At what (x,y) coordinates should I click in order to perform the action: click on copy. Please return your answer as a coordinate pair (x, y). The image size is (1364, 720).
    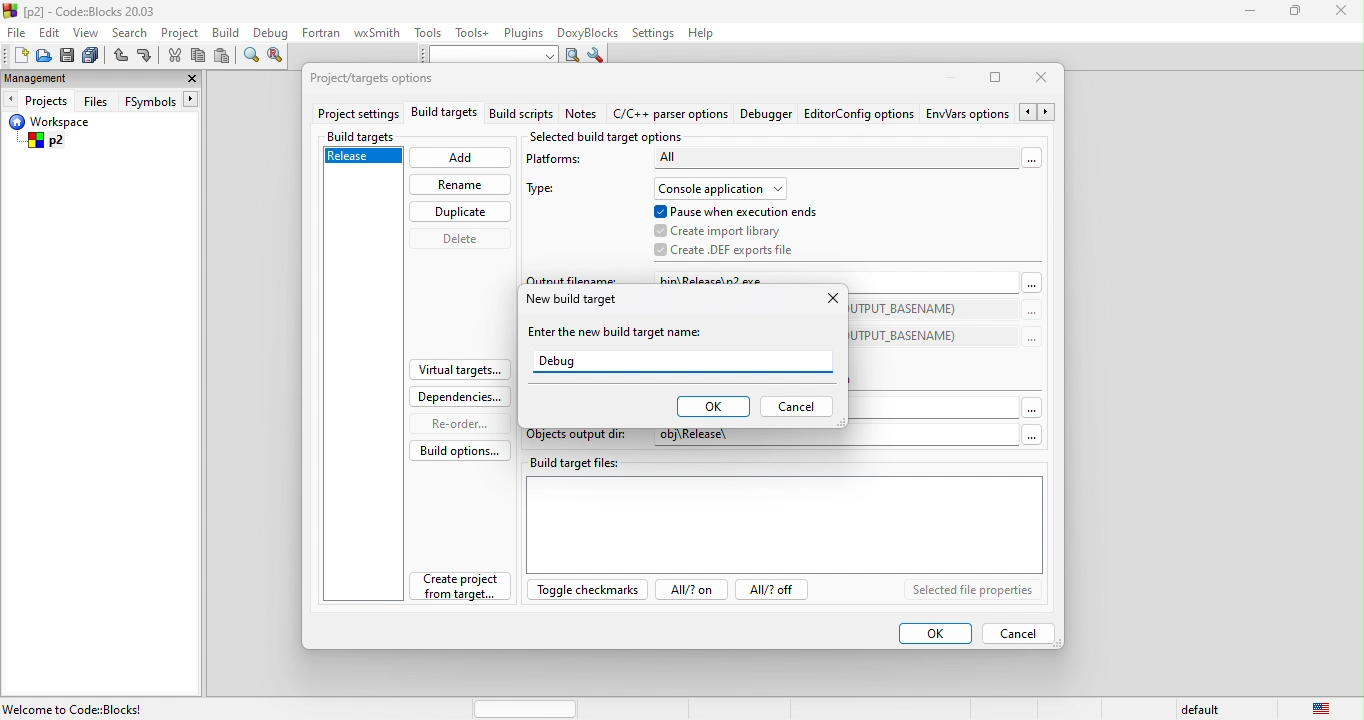
    Looking at the image, I should click on (200, 58).